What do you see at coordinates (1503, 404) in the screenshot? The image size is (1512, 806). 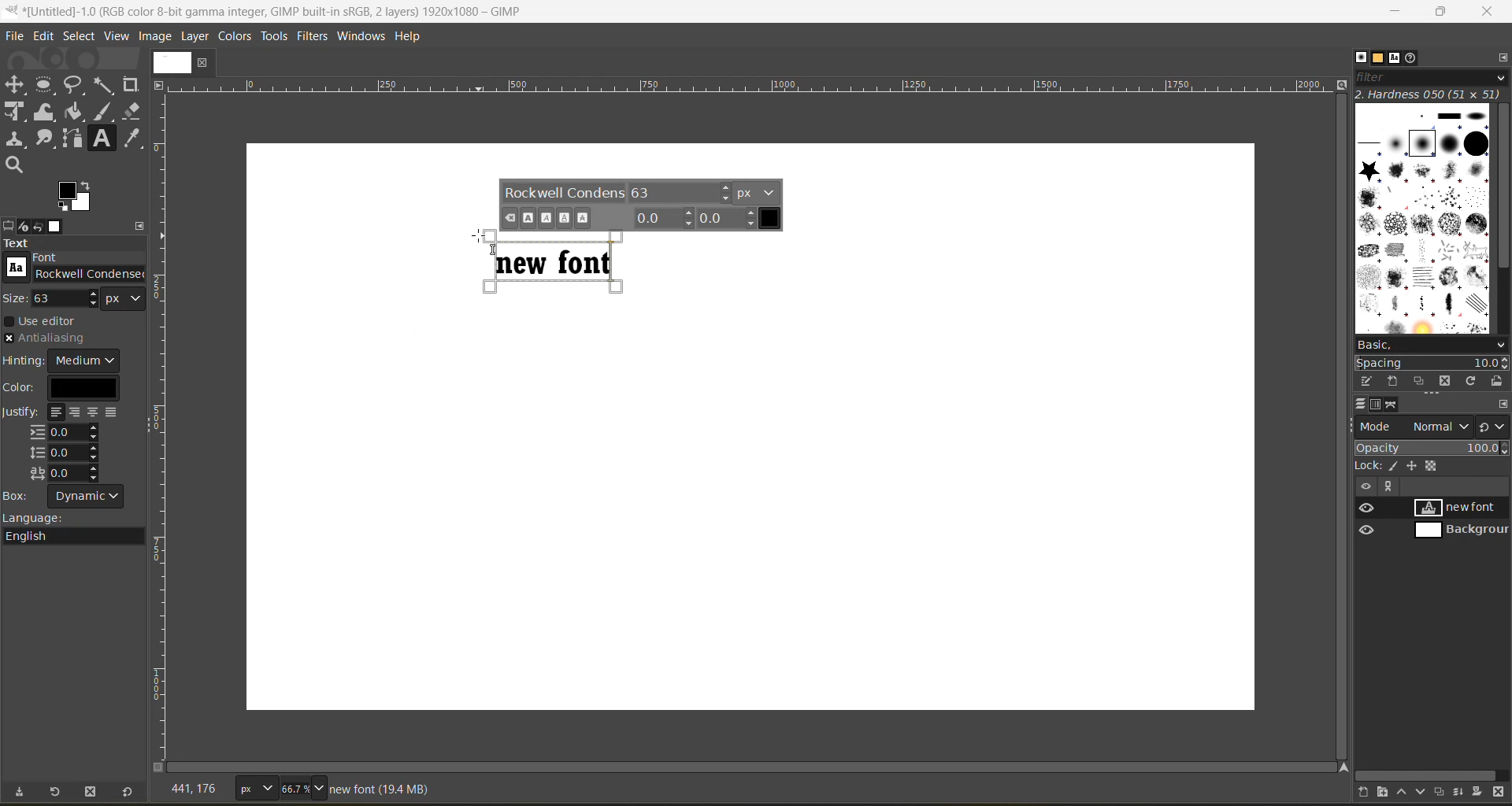 I see `configure` at bounding box center [1503, 404].